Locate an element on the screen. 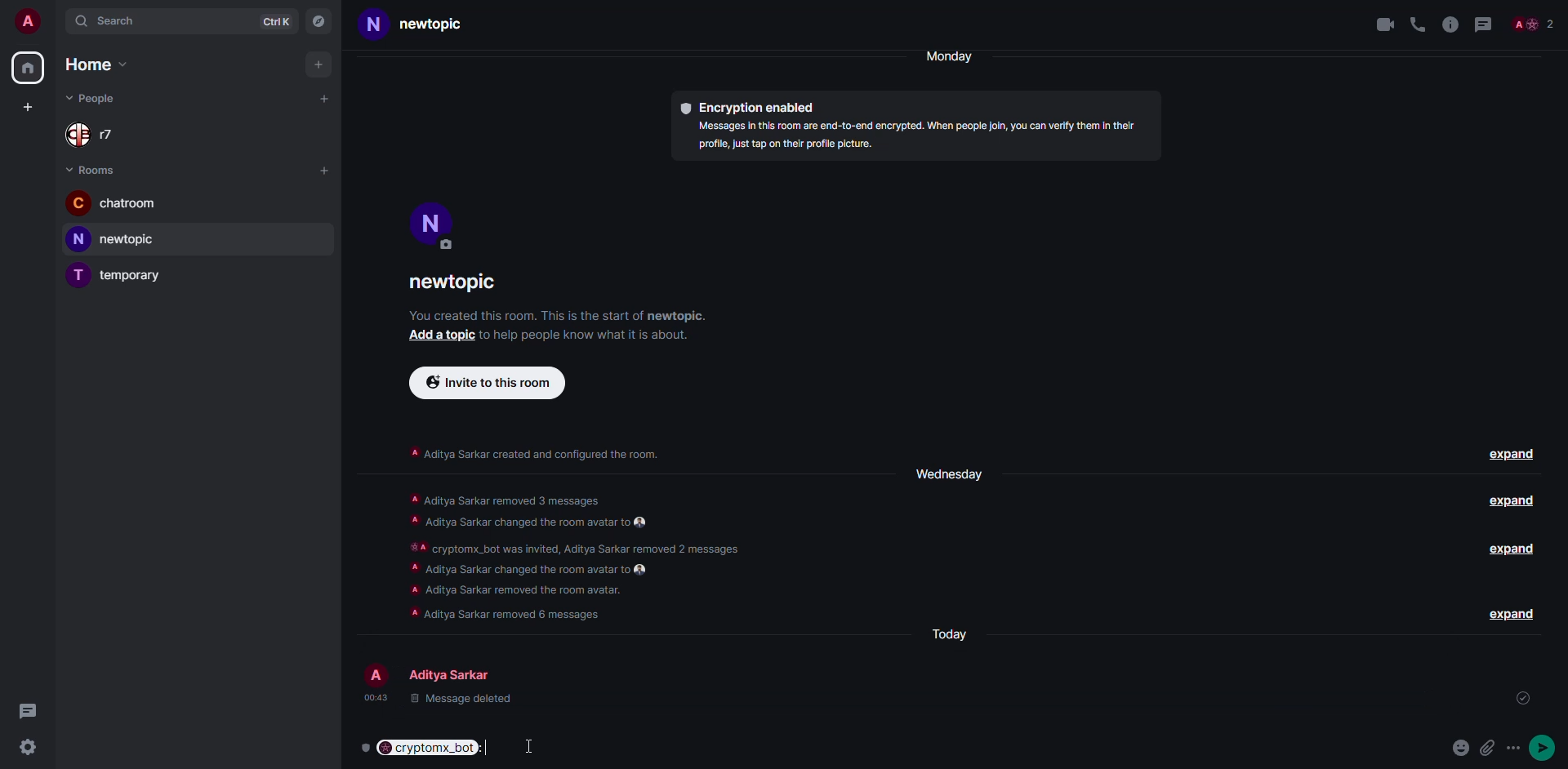 This screenshot has height=769, width=1568. message deleted is located at coordinates (448, 703).